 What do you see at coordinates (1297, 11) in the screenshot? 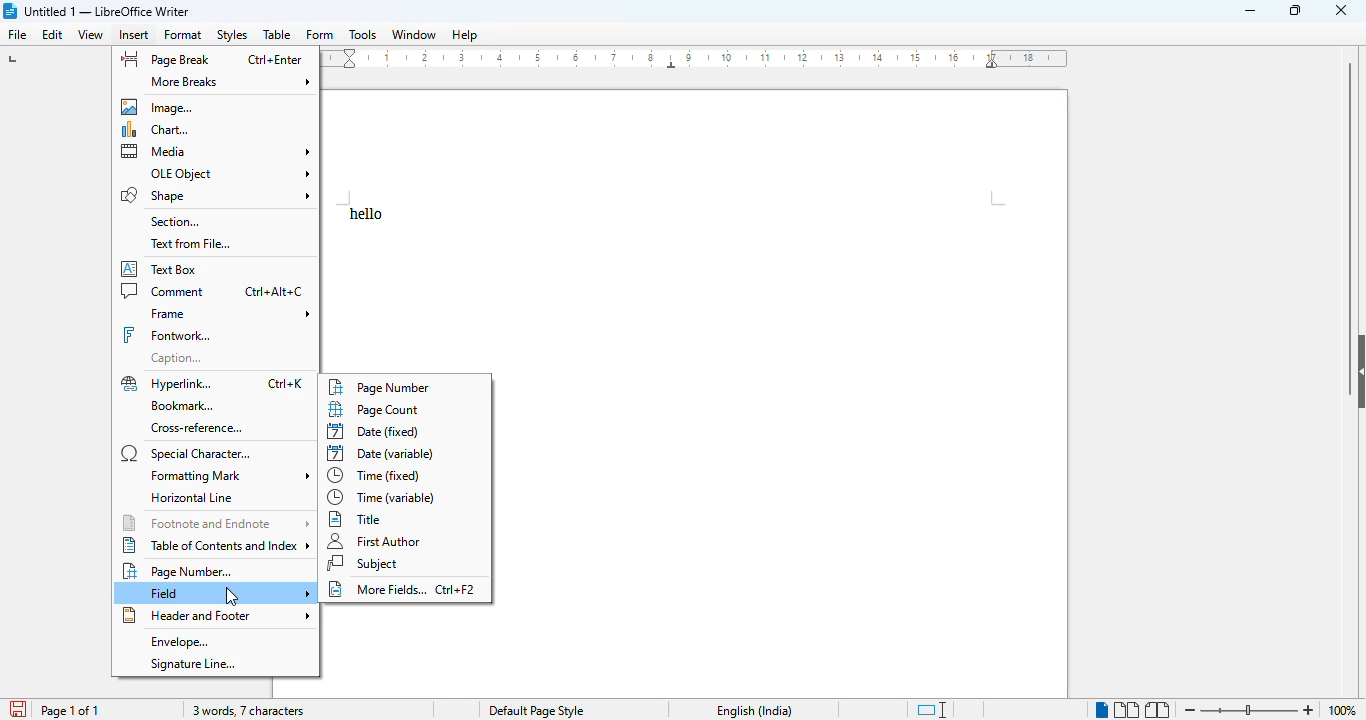
I see `maximize` at bounding box center [1297, 11].